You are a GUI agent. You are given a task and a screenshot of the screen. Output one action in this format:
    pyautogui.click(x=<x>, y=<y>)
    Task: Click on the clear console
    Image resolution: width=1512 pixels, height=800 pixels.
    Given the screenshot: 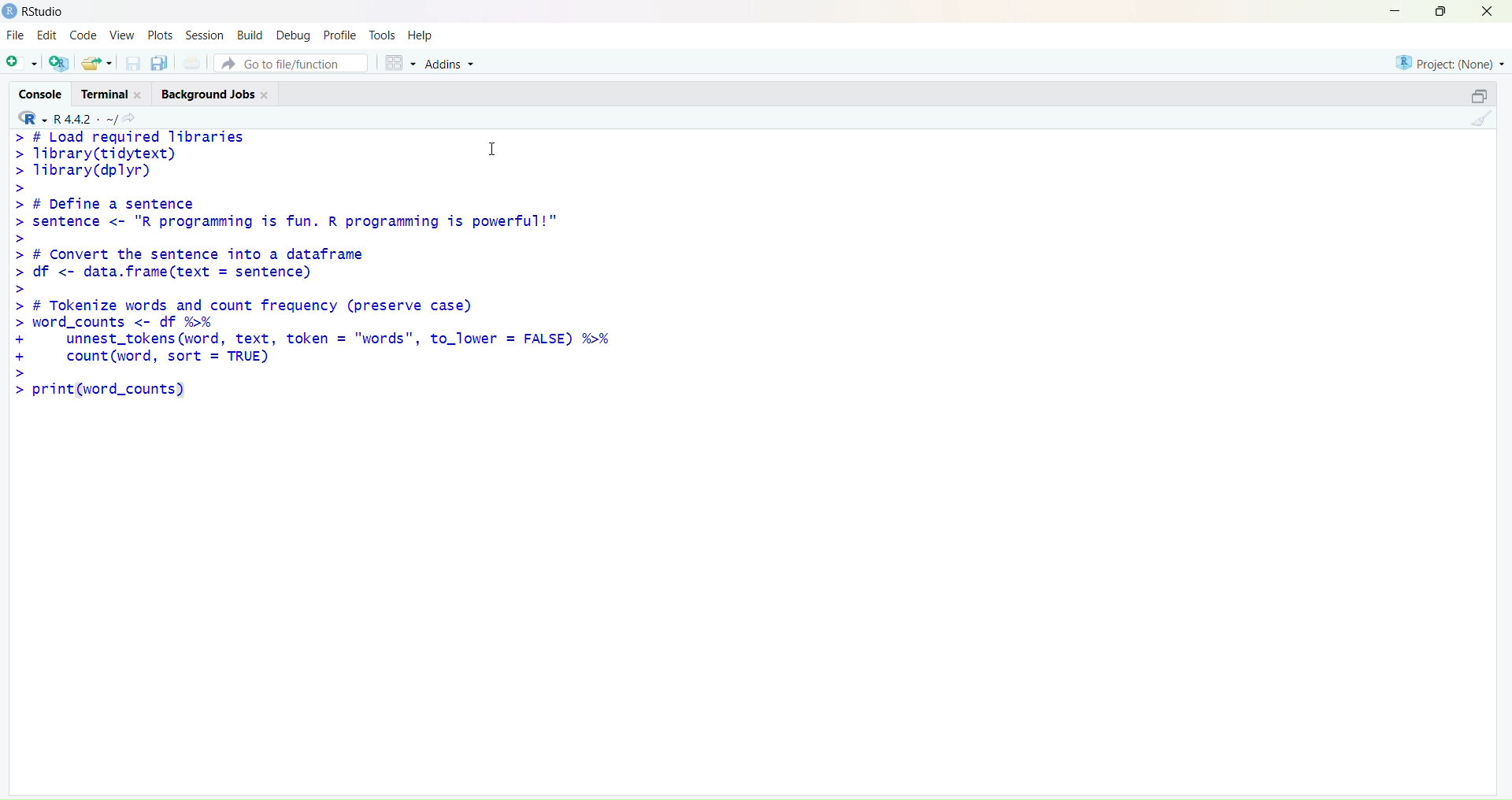 What is the action you would take?
    pyautogui.click(x=1481, y=120)
    